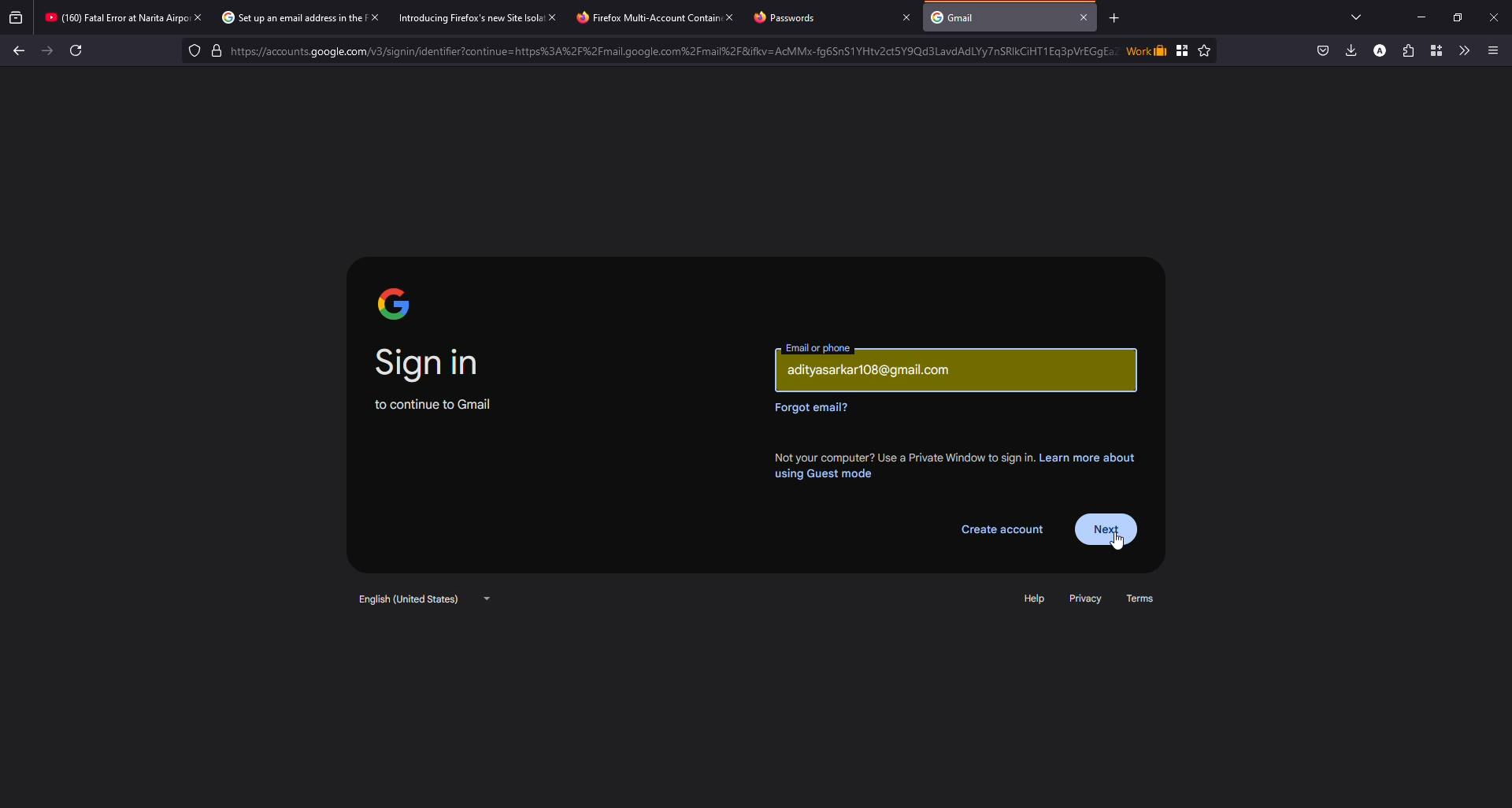 Image resolution: width=1512 pixels, height=808 pixels. Describe the element at coordinates (876, 371) in the screenshot. I see `adityasarkario8@gmail.com` at that location.